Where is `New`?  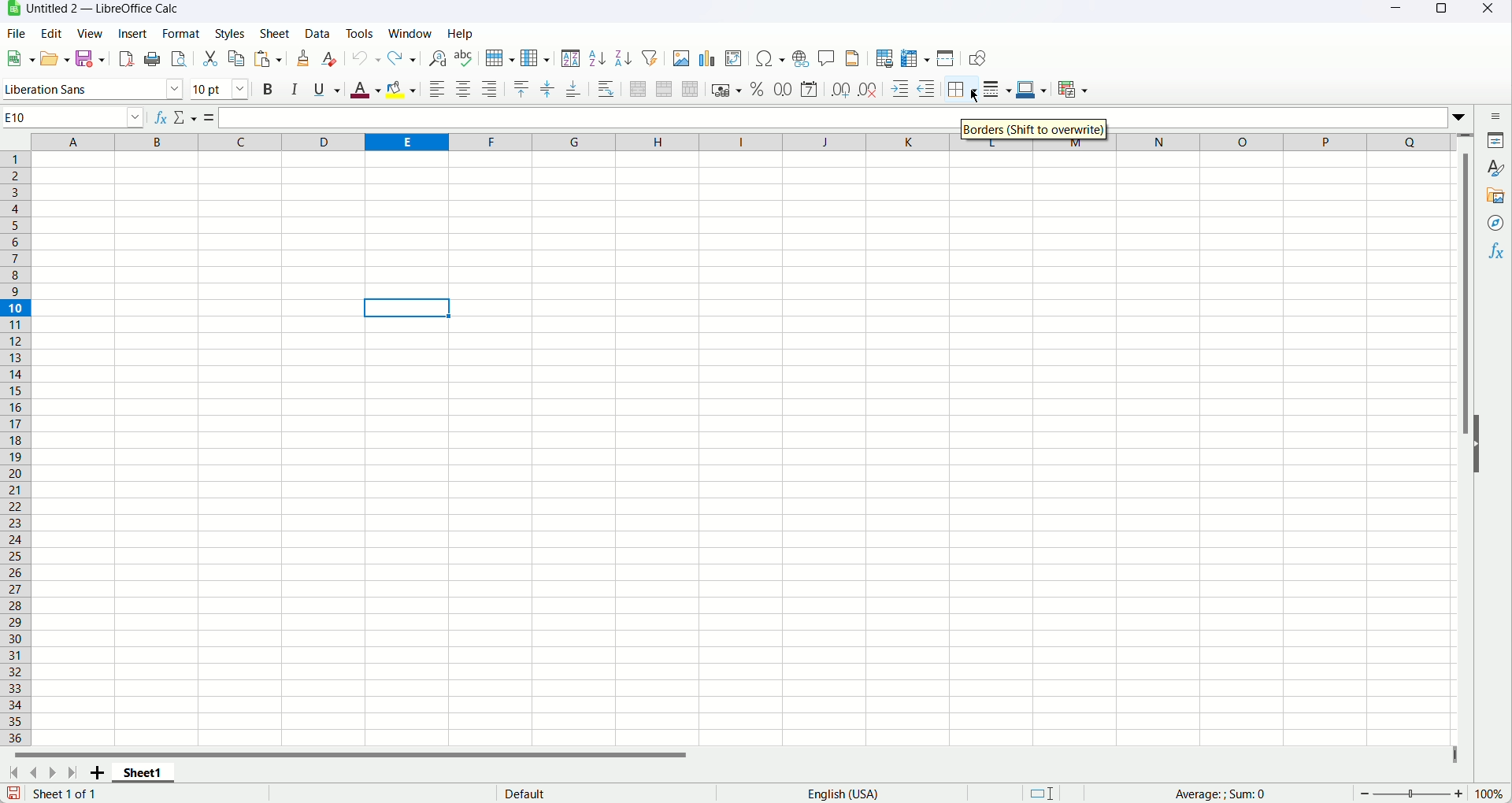
New is located at coordinates (19, 58).